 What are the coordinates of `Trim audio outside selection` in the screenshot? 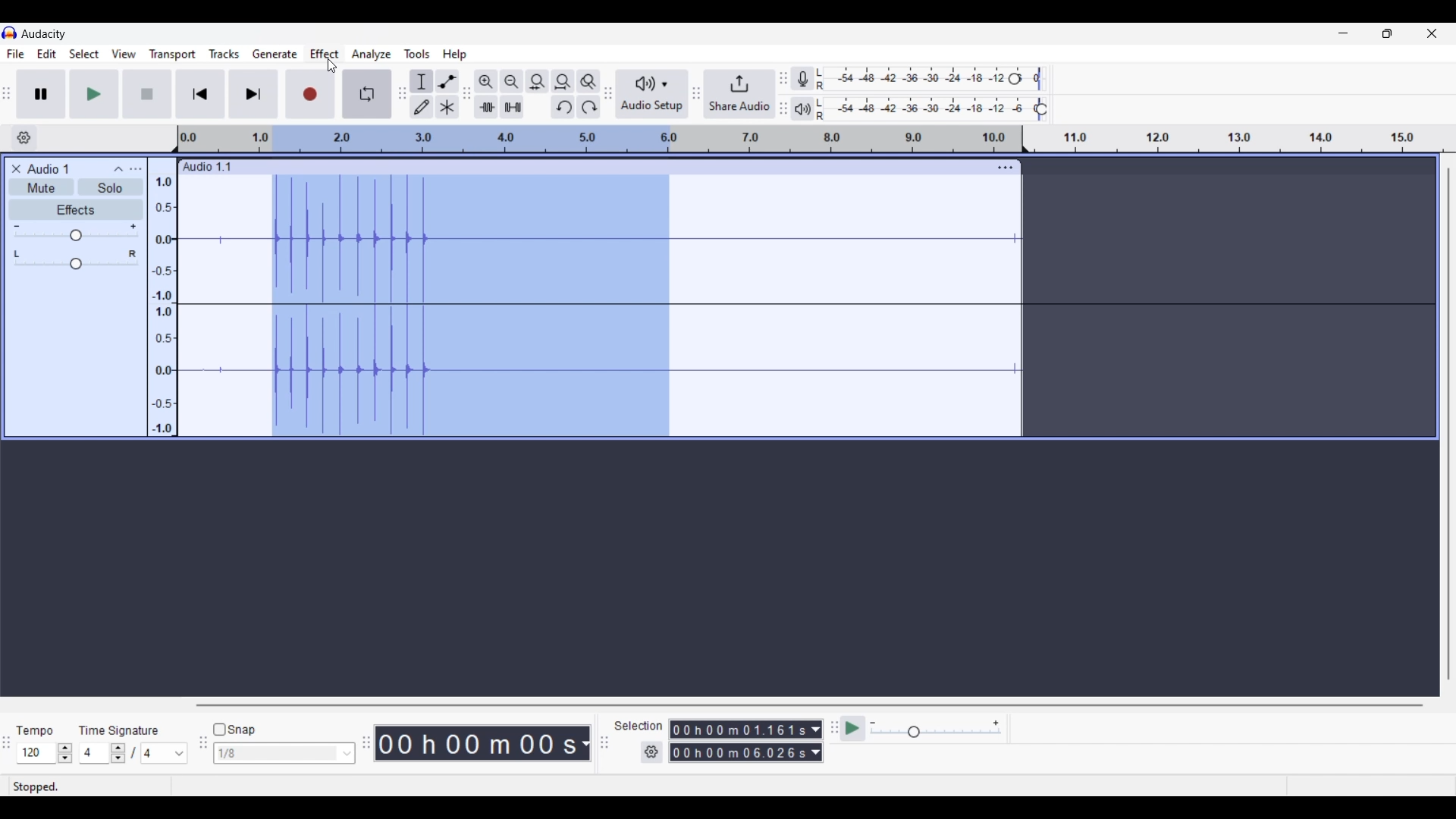 It's located at (486, 107).